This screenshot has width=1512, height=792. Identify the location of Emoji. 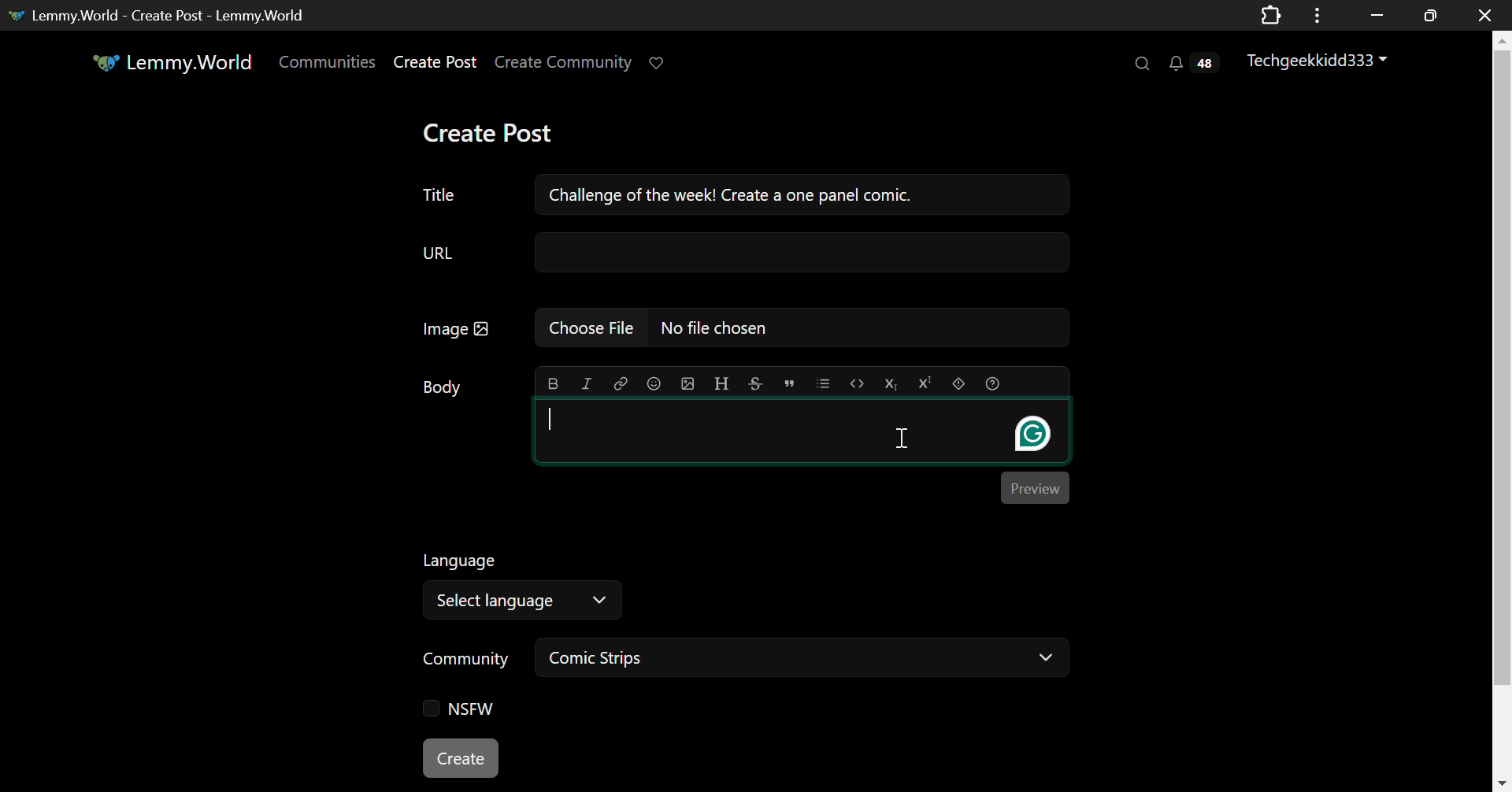
(654, 384).